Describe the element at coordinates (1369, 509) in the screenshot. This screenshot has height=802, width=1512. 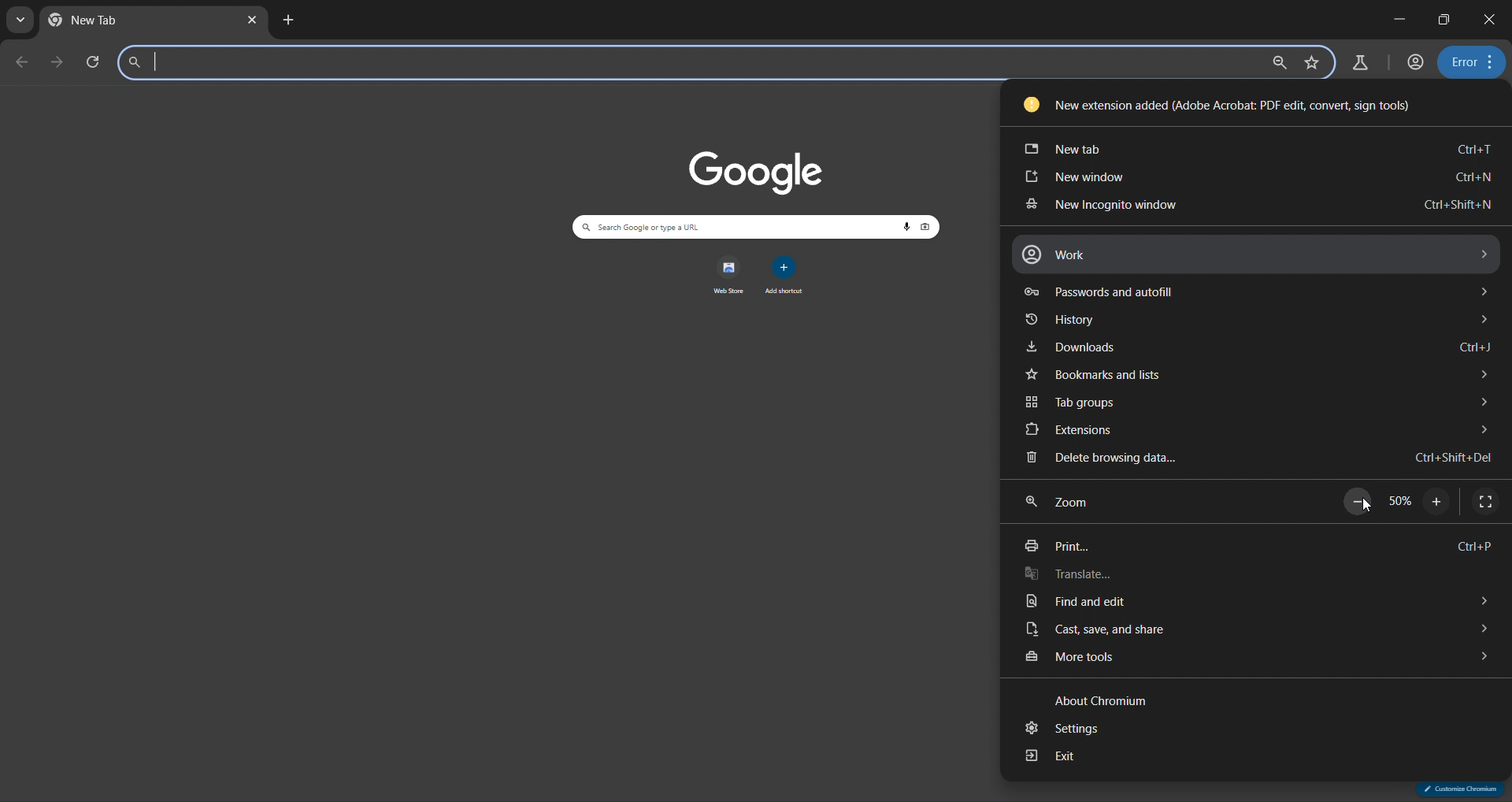
I see `cursor` at that location.